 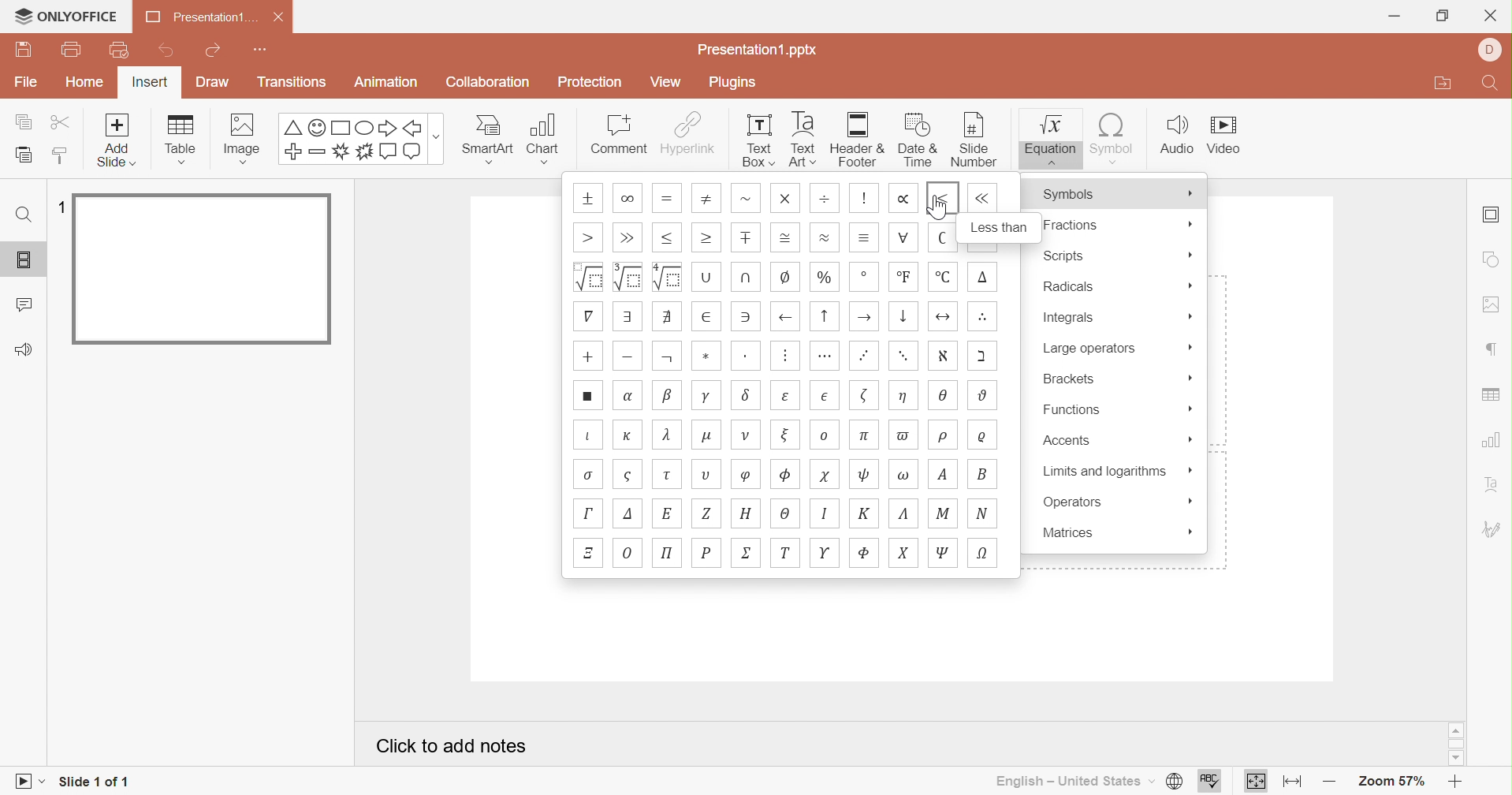 I want to click on Spell checking, so click(x=1208, y=782).